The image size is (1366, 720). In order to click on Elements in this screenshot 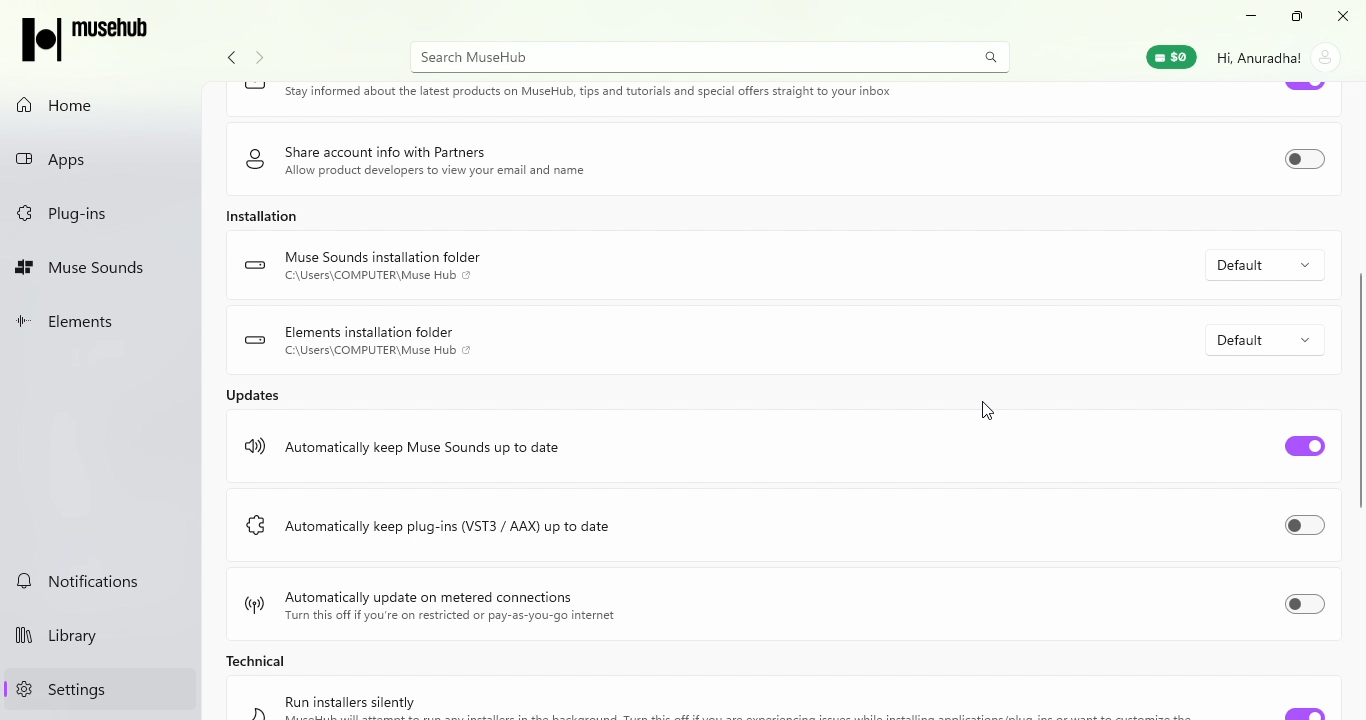, I will do `click(100, 324)`.